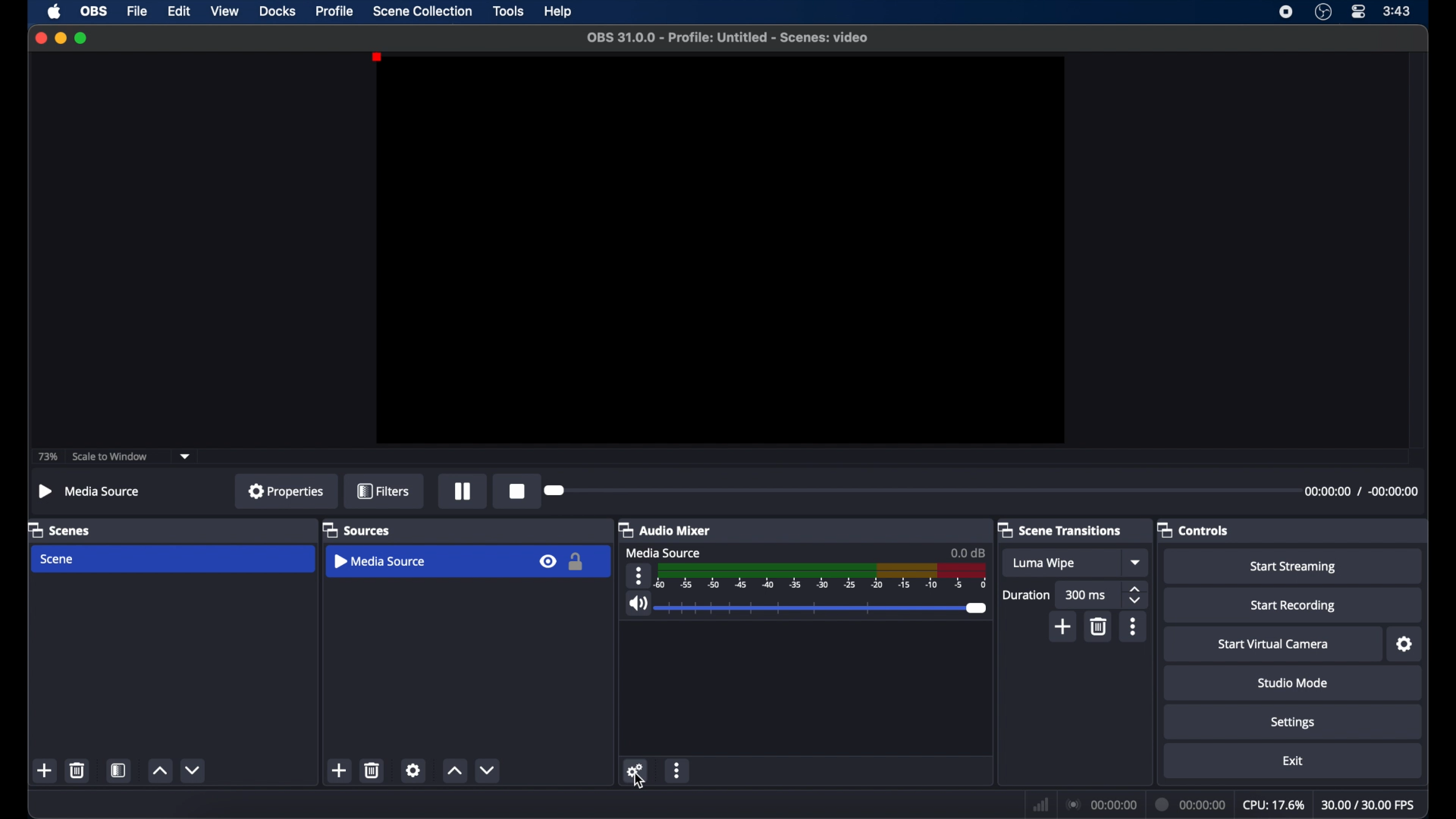  I want to click on scenes, so click(59, 529).